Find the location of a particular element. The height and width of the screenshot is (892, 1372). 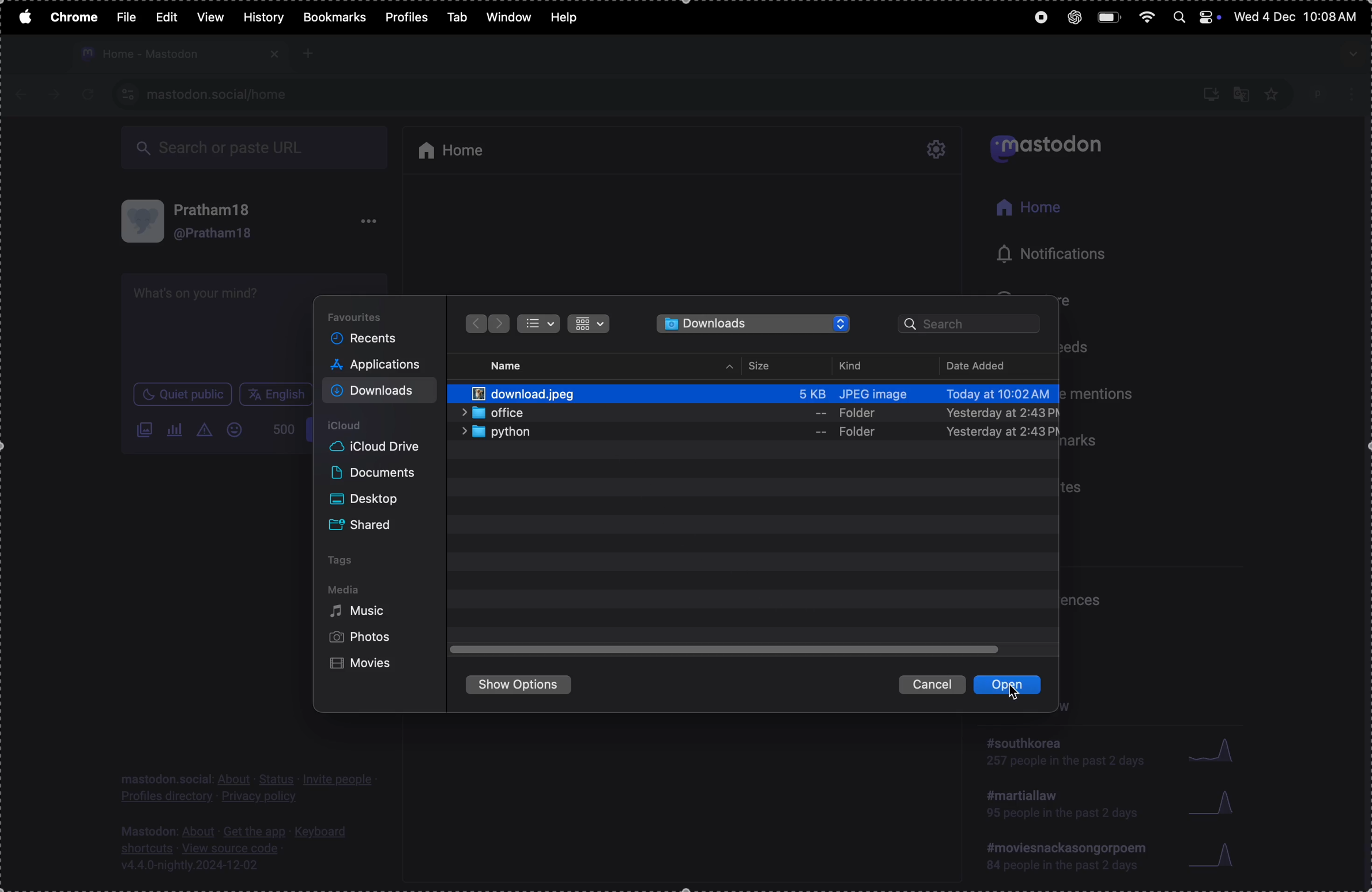

option is located at coordinates (369, 224).